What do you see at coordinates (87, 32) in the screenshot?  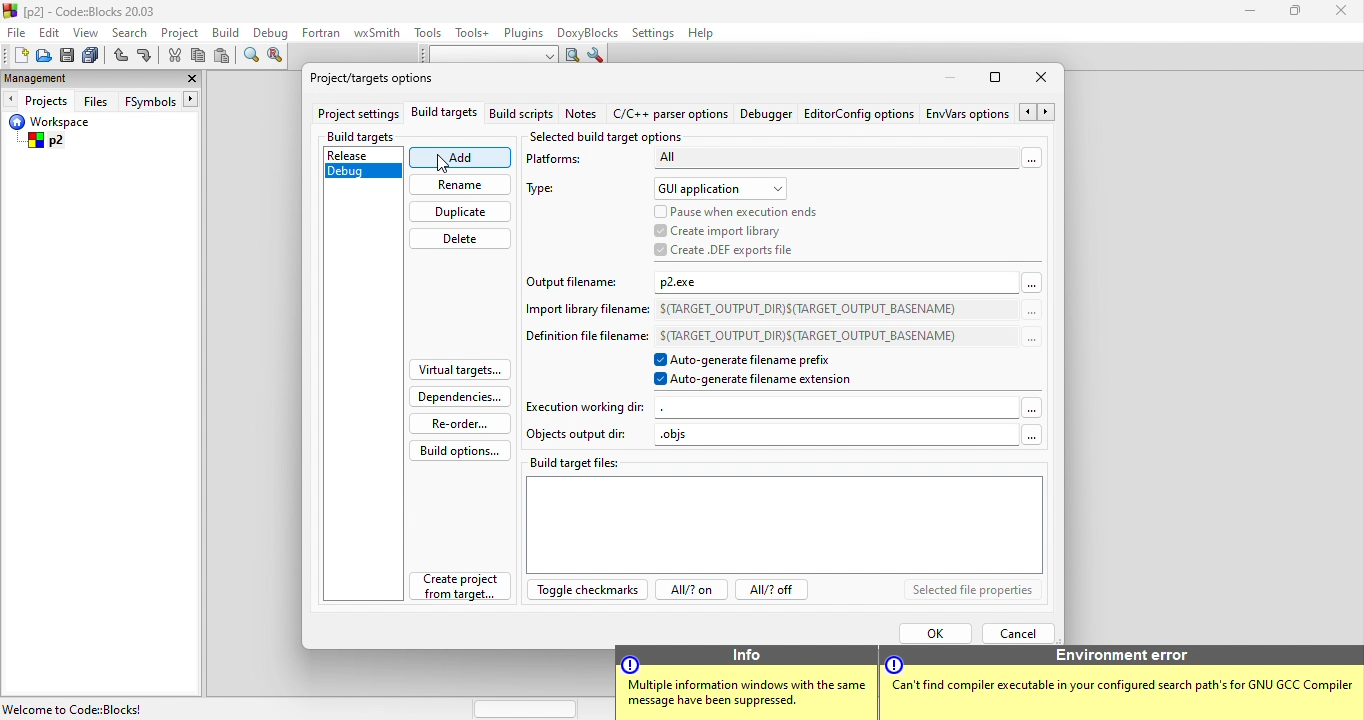 I see `view` at bounding box center [87, 32].